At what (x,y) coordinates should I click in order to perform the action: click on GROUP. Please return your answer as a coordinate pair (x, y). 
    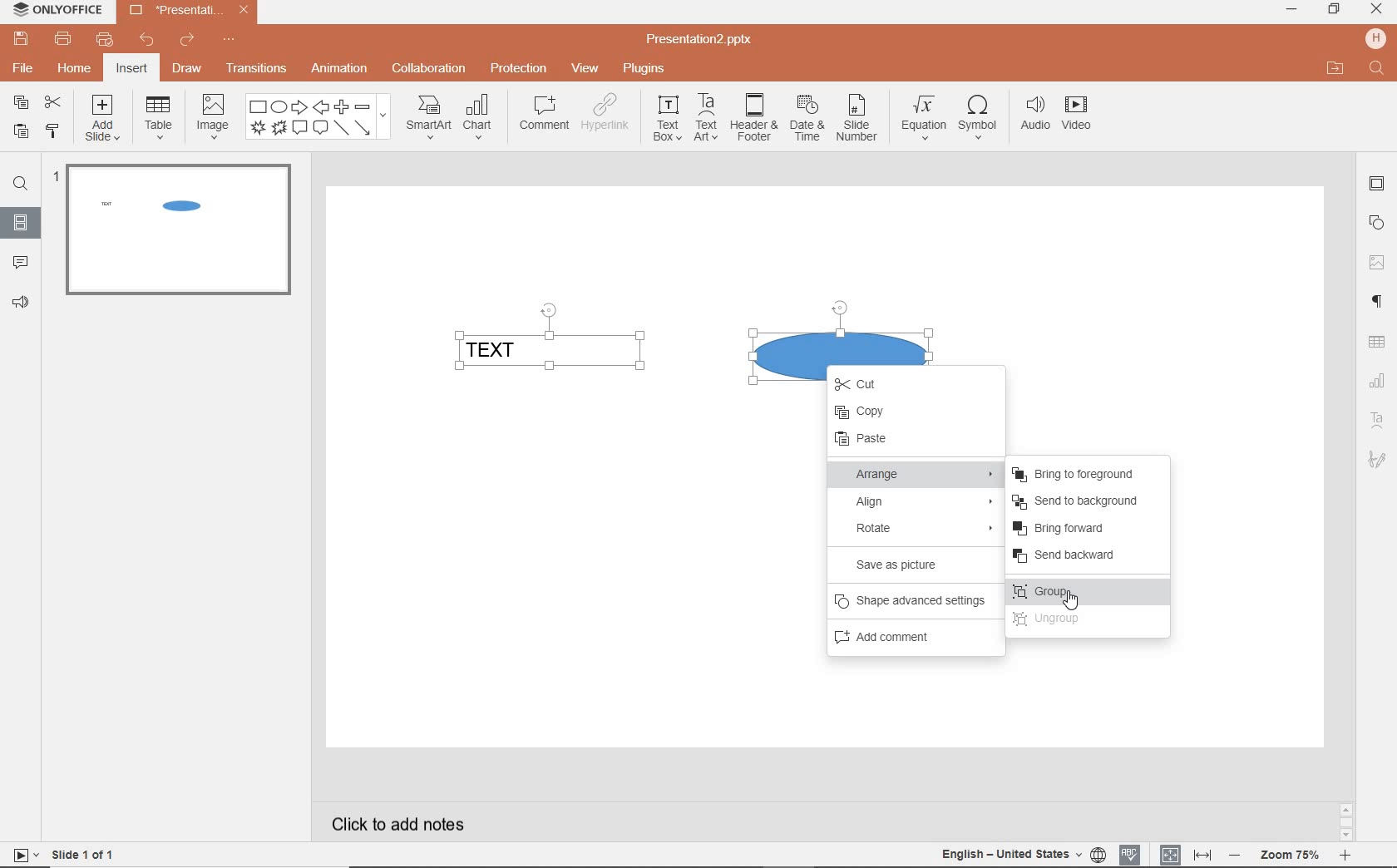
    Looking at the image, I should click on (1083, 593).